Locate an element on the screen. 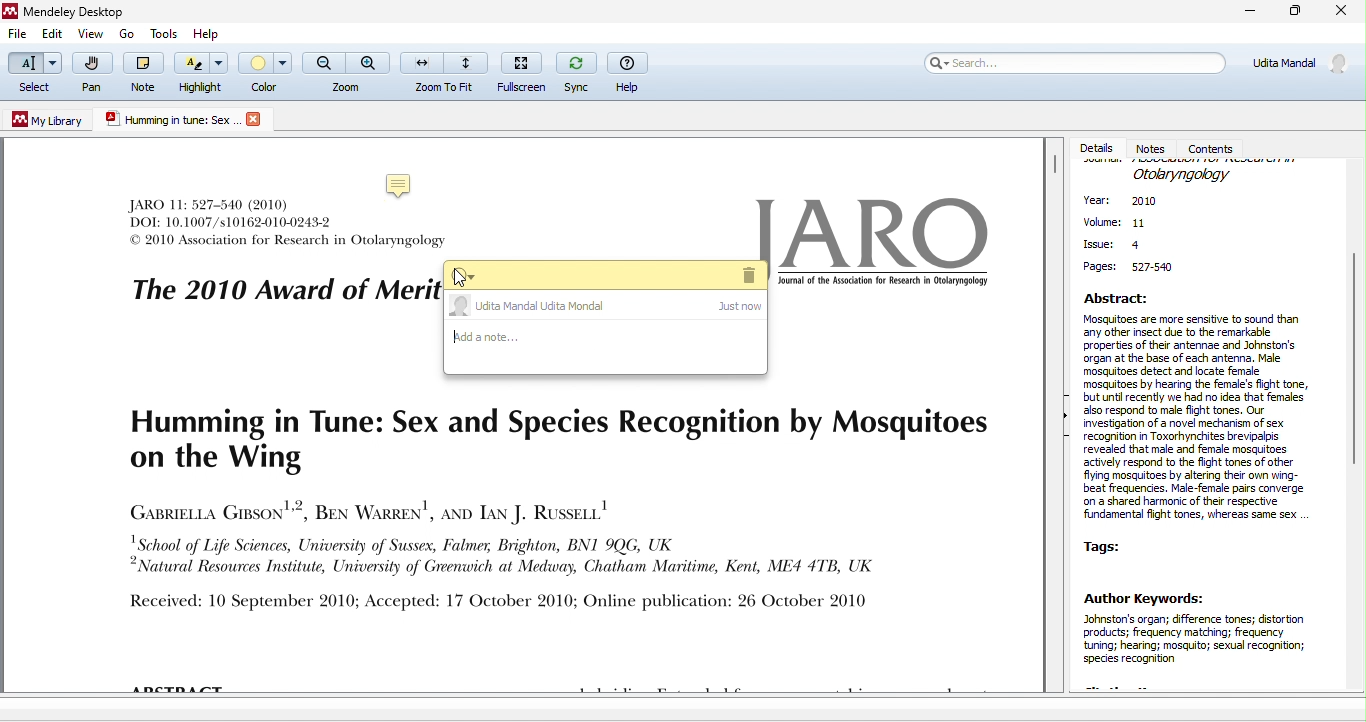 This screenshot has height=722, width=1366. minimize is located at coordinates (1243, 13).